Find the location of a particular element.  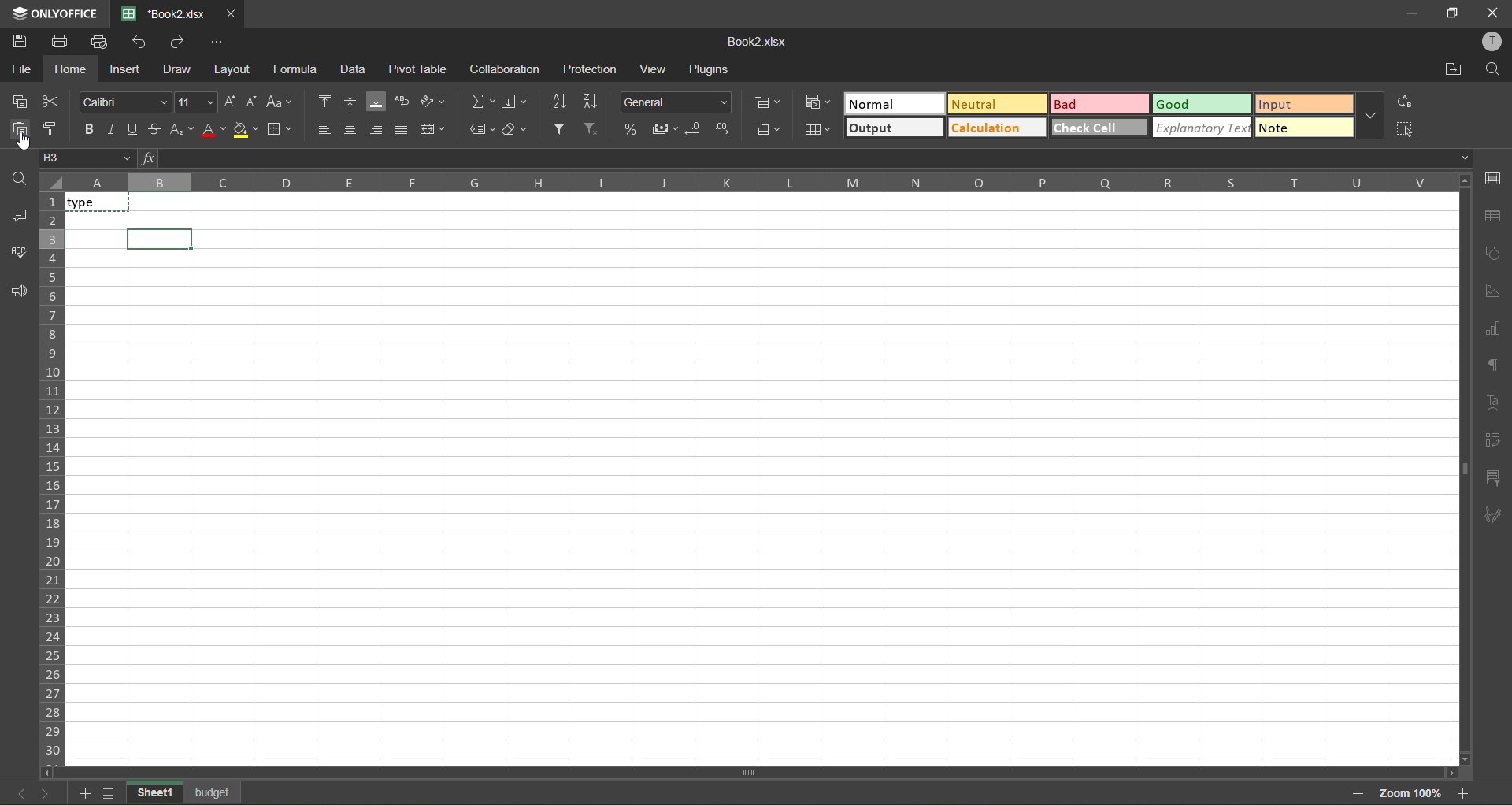

selected cell is located at coordinates (162, 237).